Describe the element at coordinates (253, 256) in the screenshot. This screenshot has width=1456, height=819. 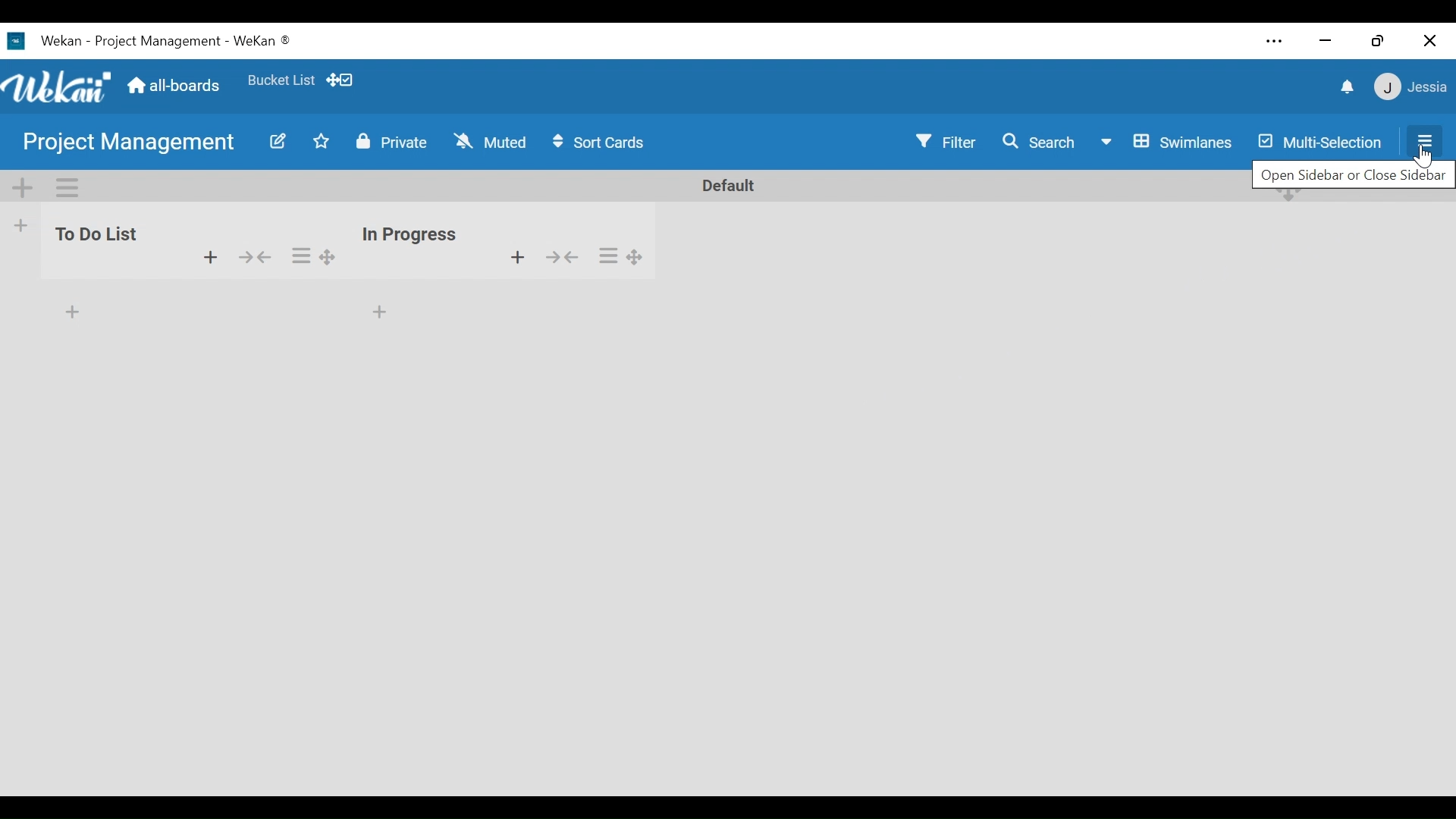
I see `hide/show` at that location.